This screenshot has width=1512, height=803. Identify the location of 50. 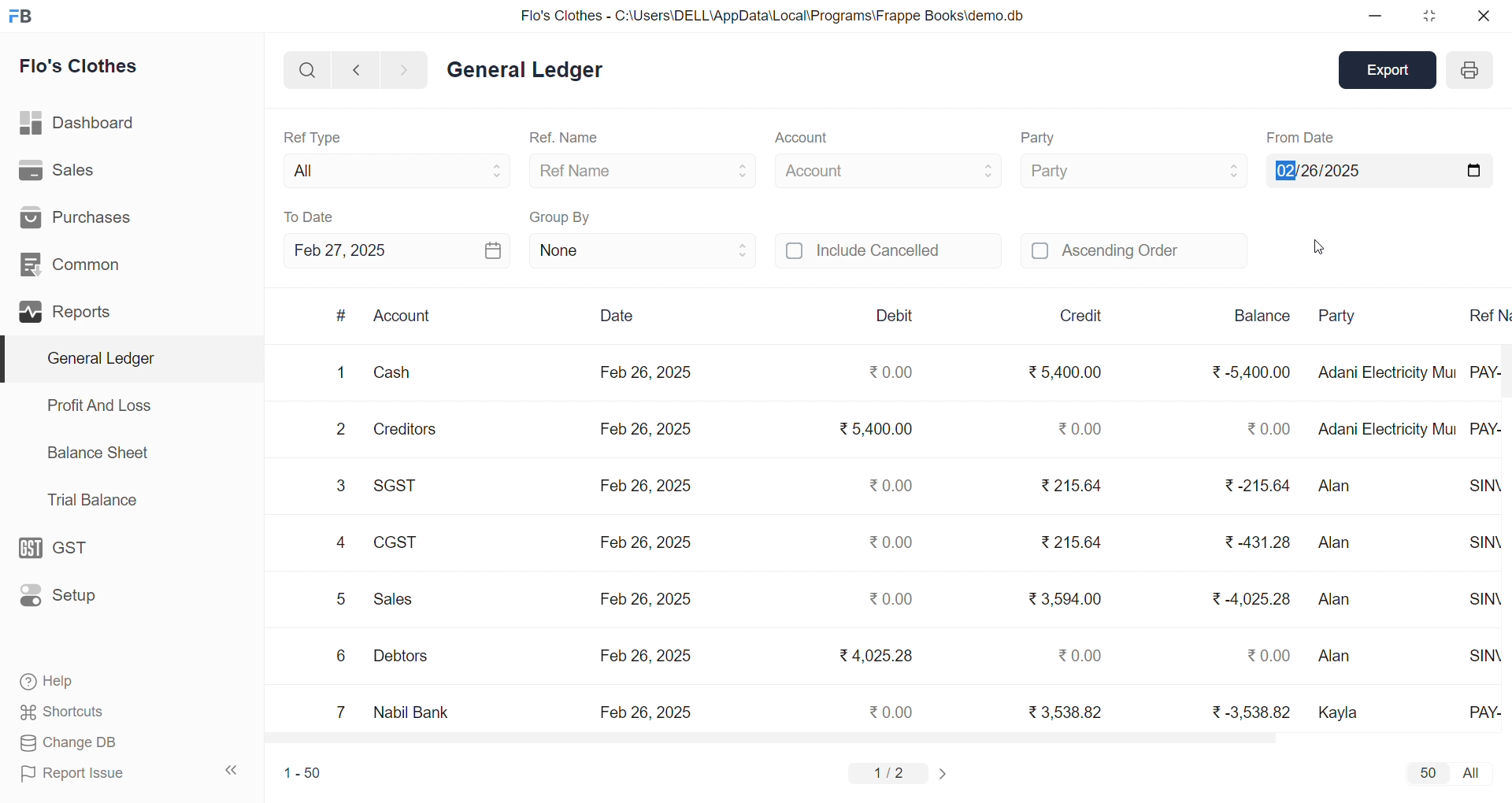
(1427, 772).